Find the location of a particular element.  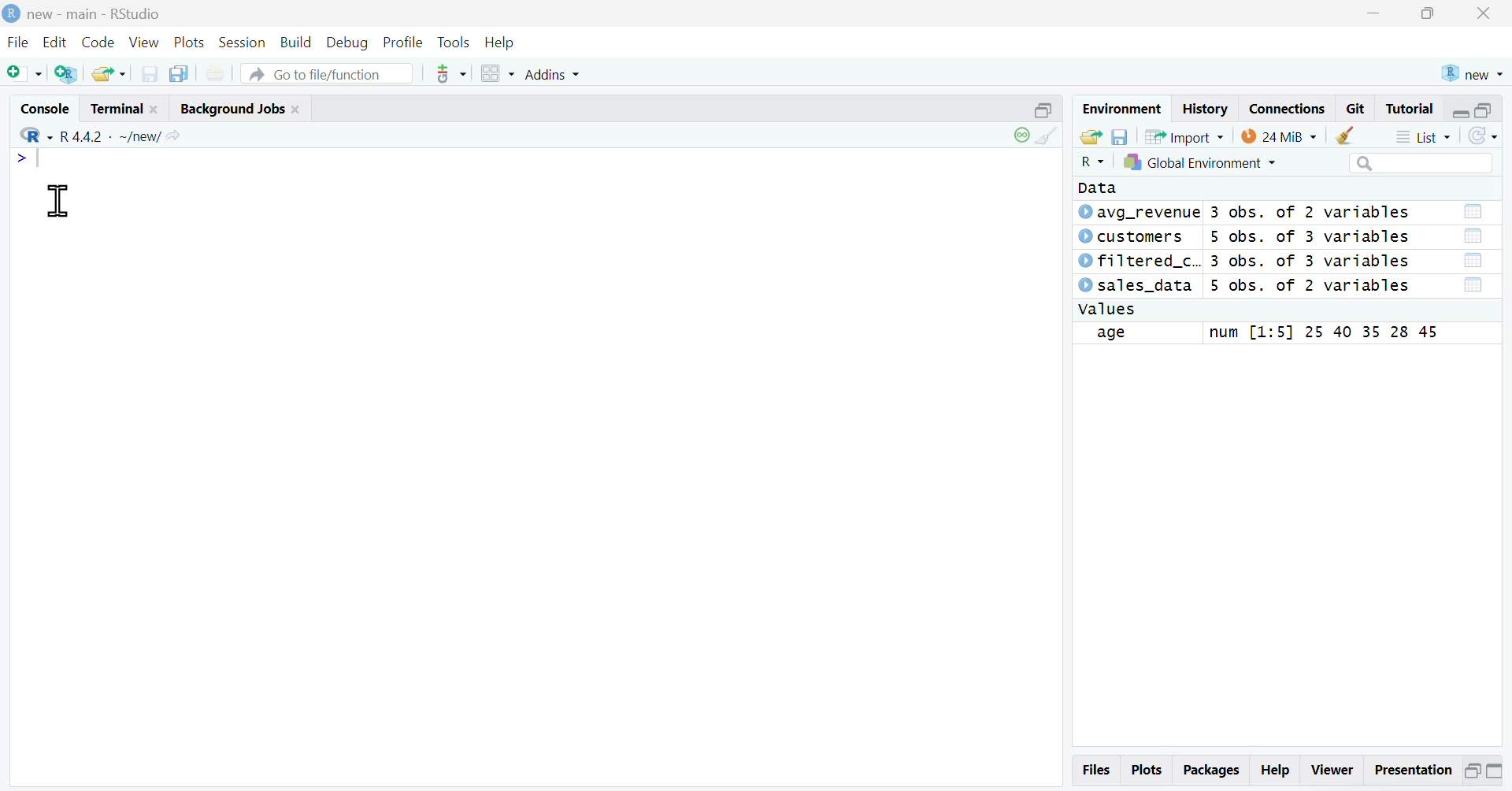

Open an Existing File is located at coordinates (108, 74).